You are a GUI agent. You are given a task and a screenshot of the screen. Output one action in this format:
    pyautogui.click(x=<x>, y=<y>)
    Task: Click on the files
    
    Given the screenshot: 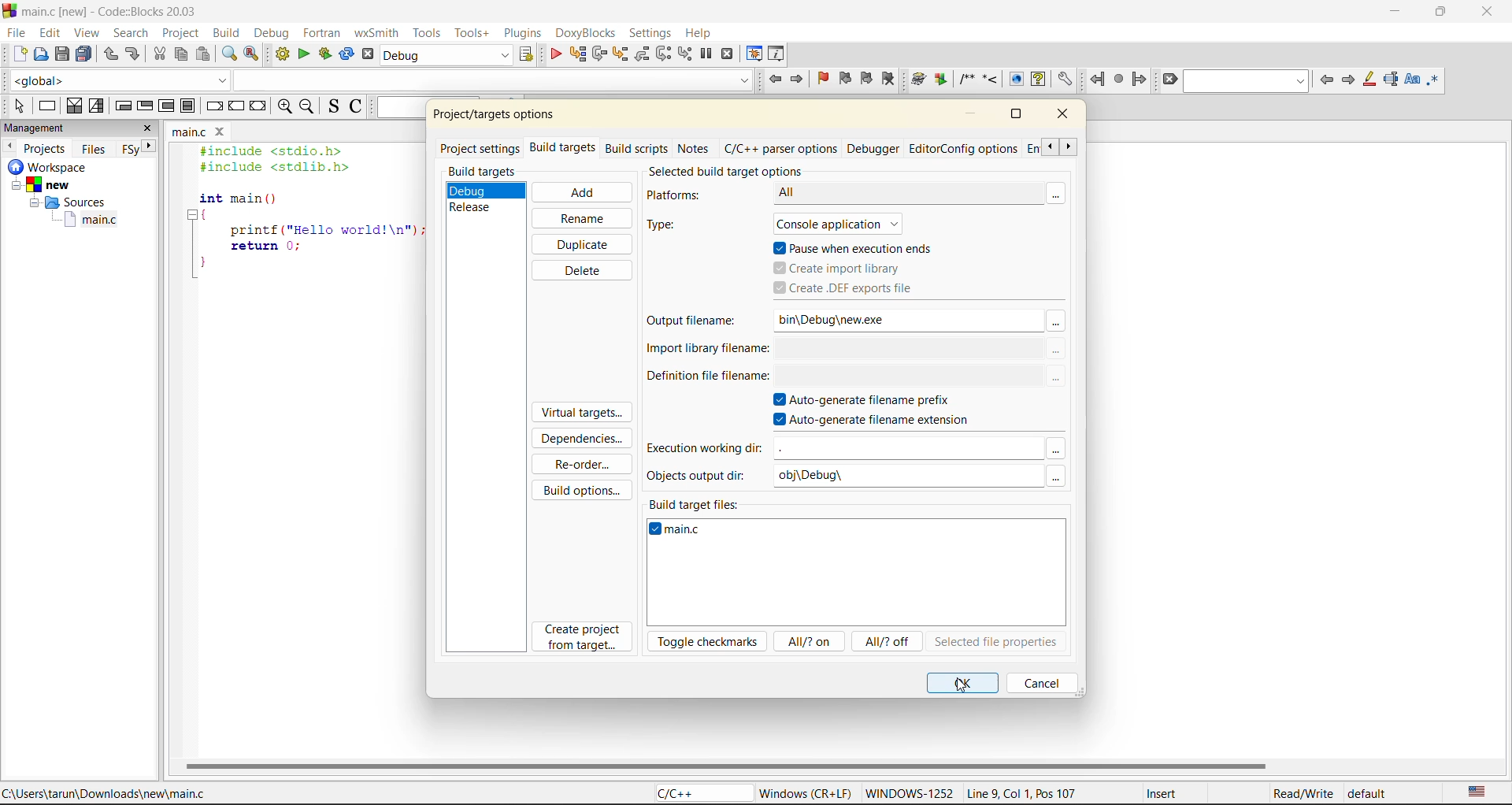 What is the action you would take?
    pyautogui.click(x=94, y=150)
    